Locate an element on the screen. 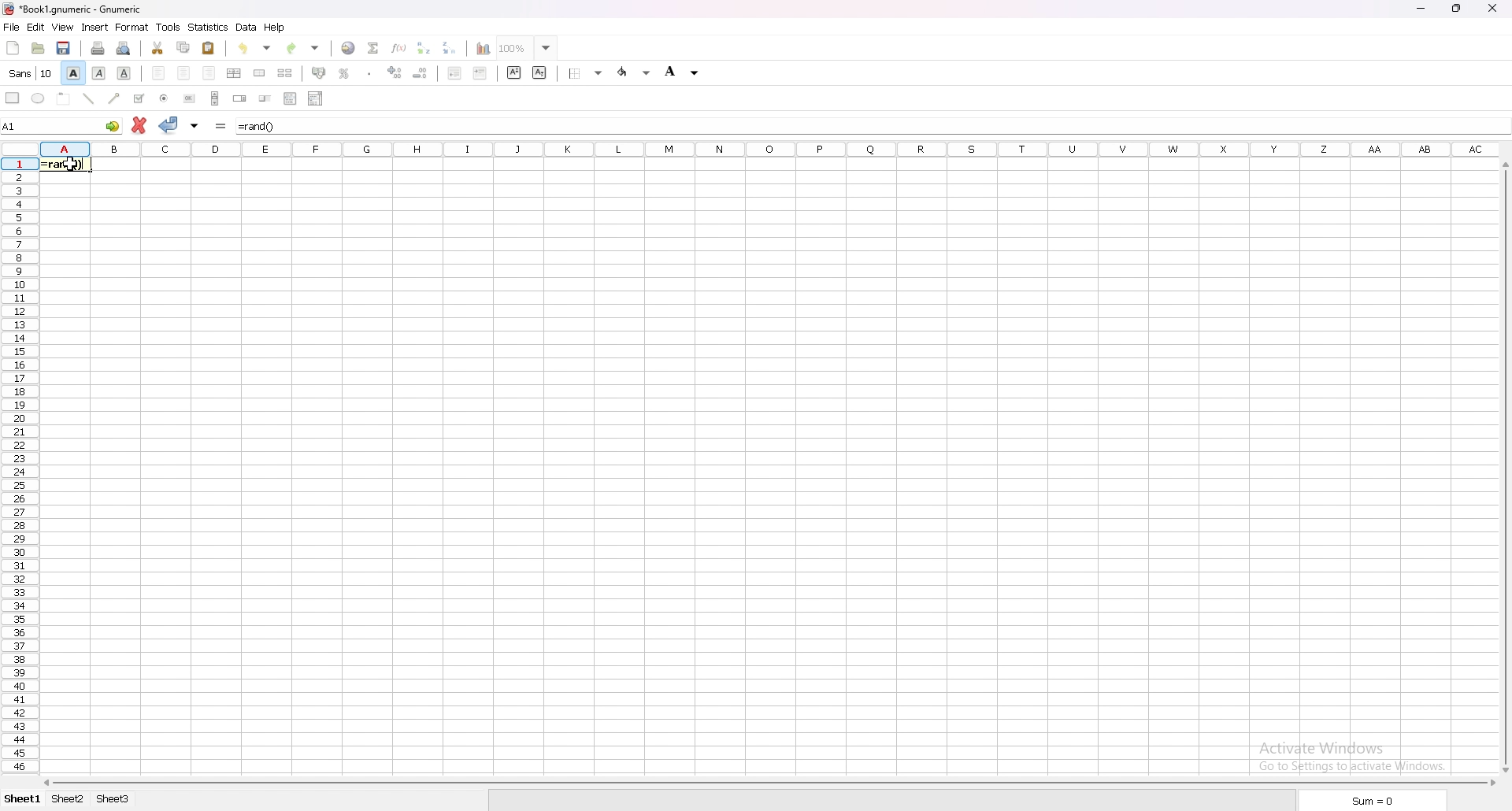  accept changes is located at coordinates (169, 124).